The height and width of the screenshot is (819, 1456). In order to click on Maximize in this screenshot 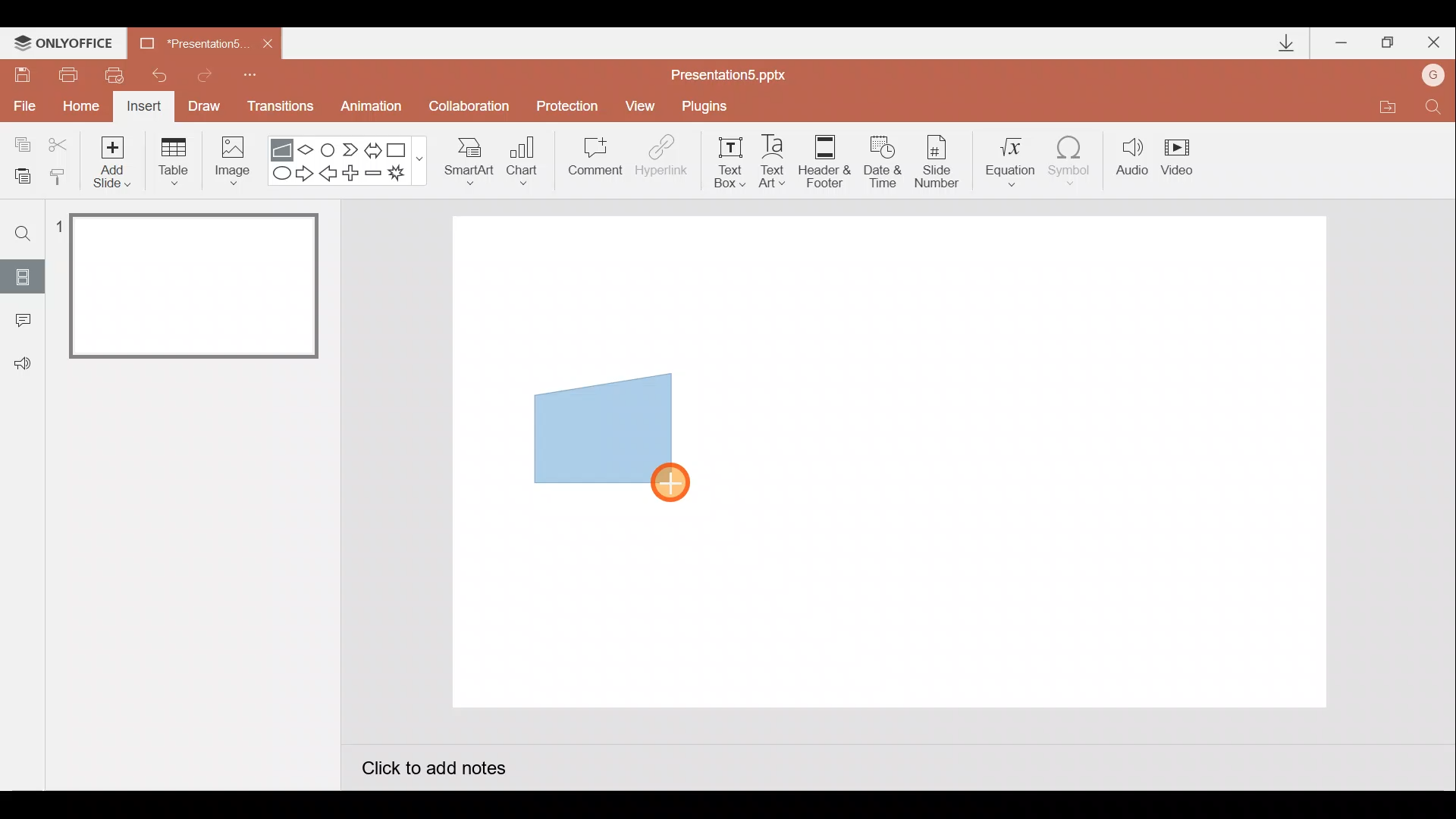, I will do `click(1388, 43)`.